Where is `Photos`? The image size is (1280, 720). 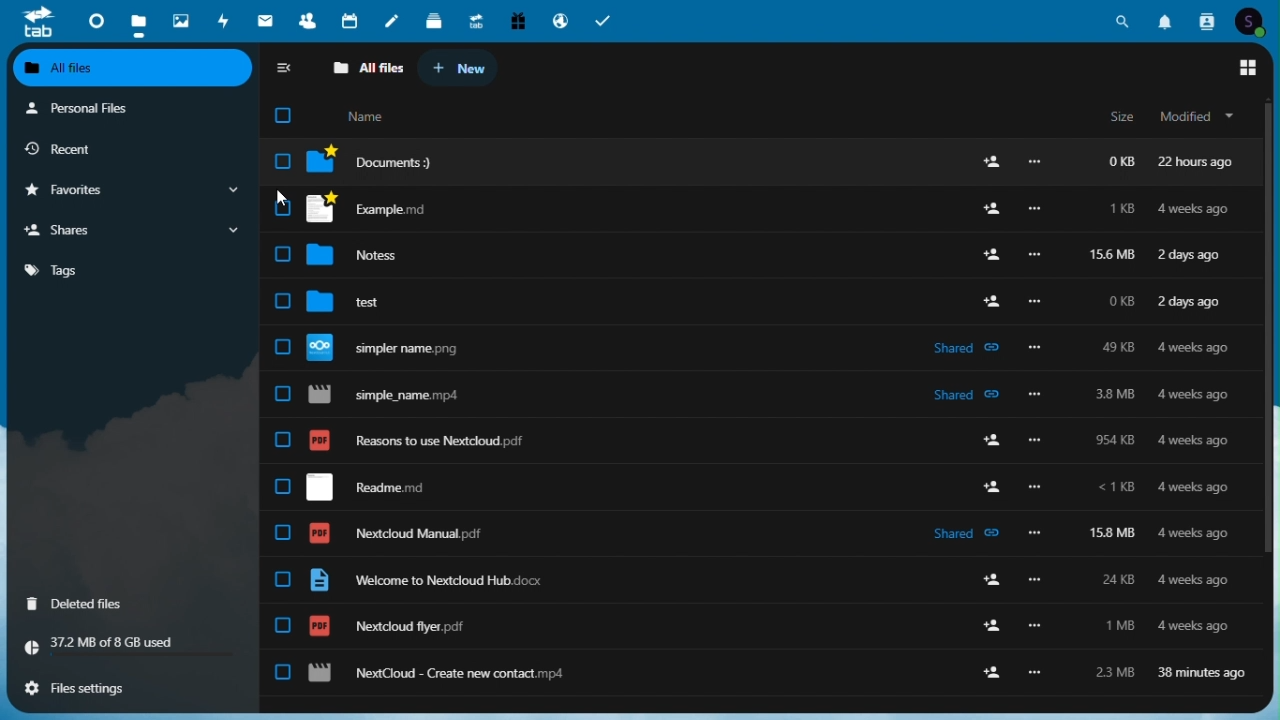
Photos is located at coordinates (181, 22).